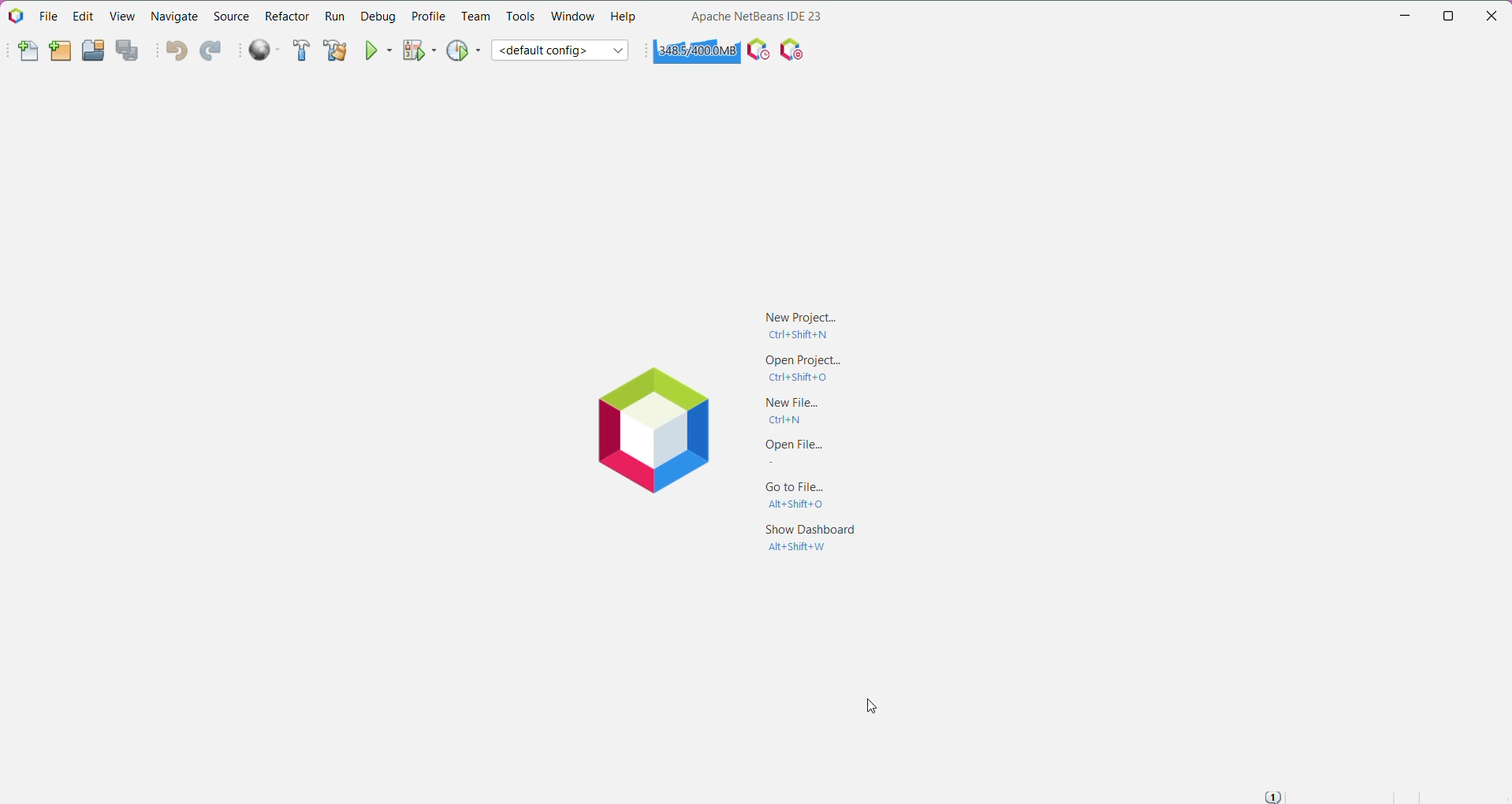 The width and height of the screenshot is (1512, 804). I want to click on View, so click(124, 15).